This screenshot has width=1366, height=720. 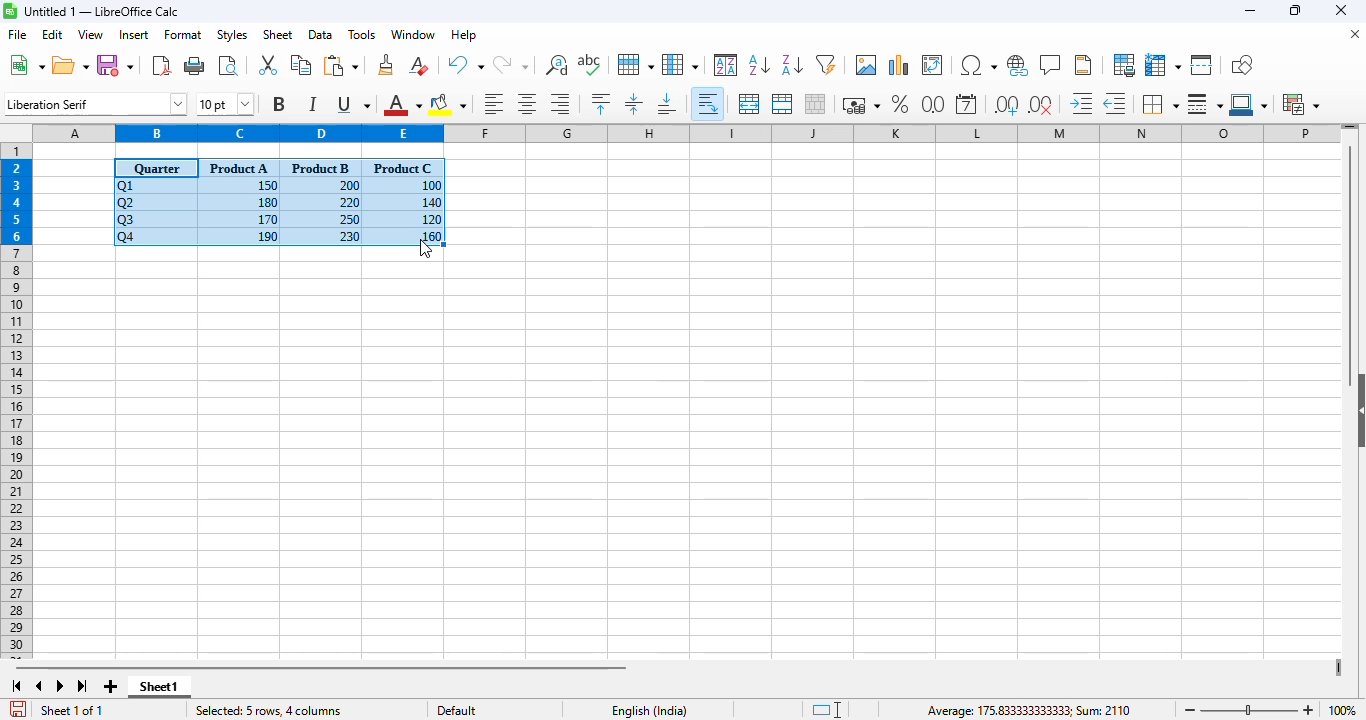 What do you see at coordinates (301, 65) in the screenshot?
I see `copy` at bounding box center [301, 65].